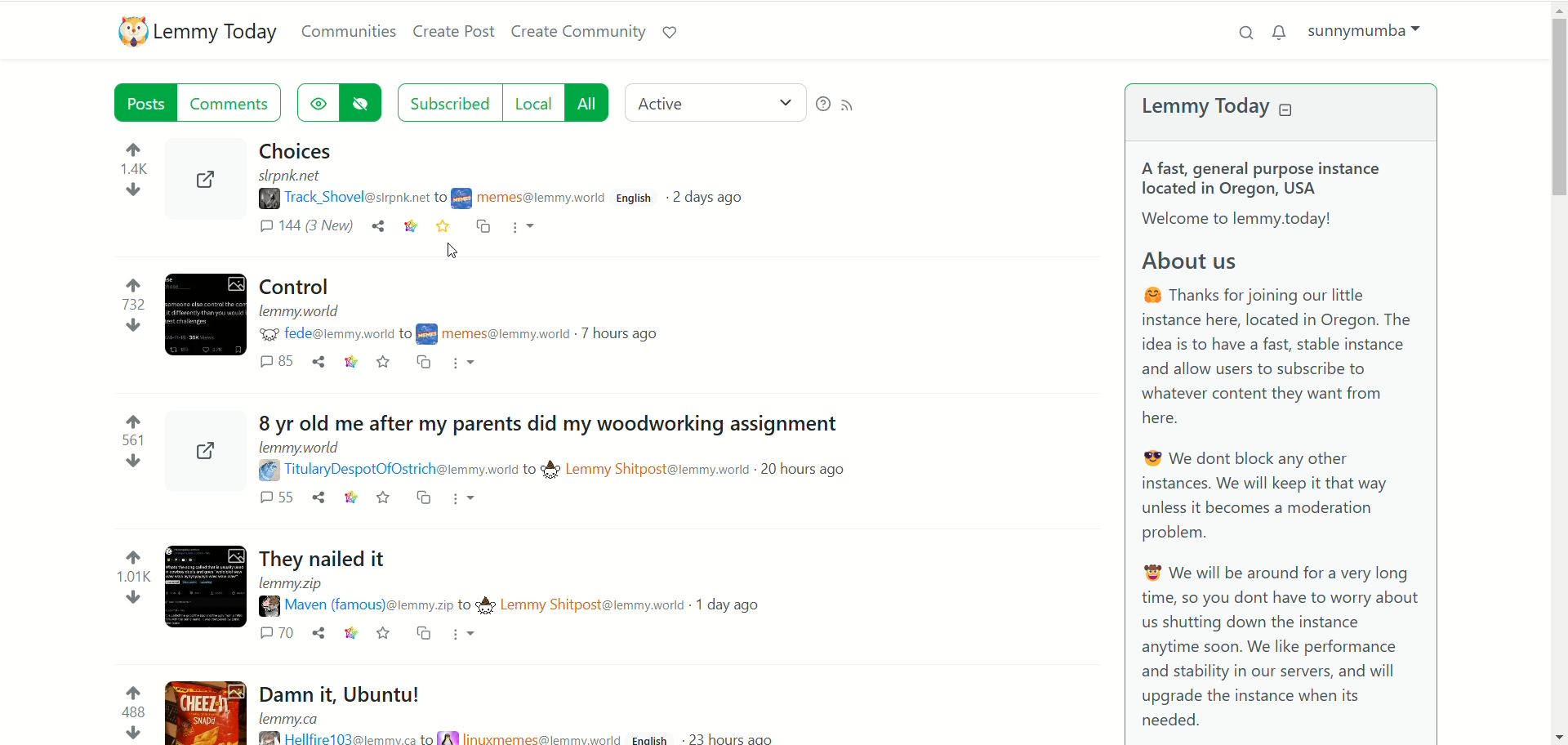  Describe the element at coordinates (1558, 372) in the screenshot. I see `vertical scroll bar` at that location.